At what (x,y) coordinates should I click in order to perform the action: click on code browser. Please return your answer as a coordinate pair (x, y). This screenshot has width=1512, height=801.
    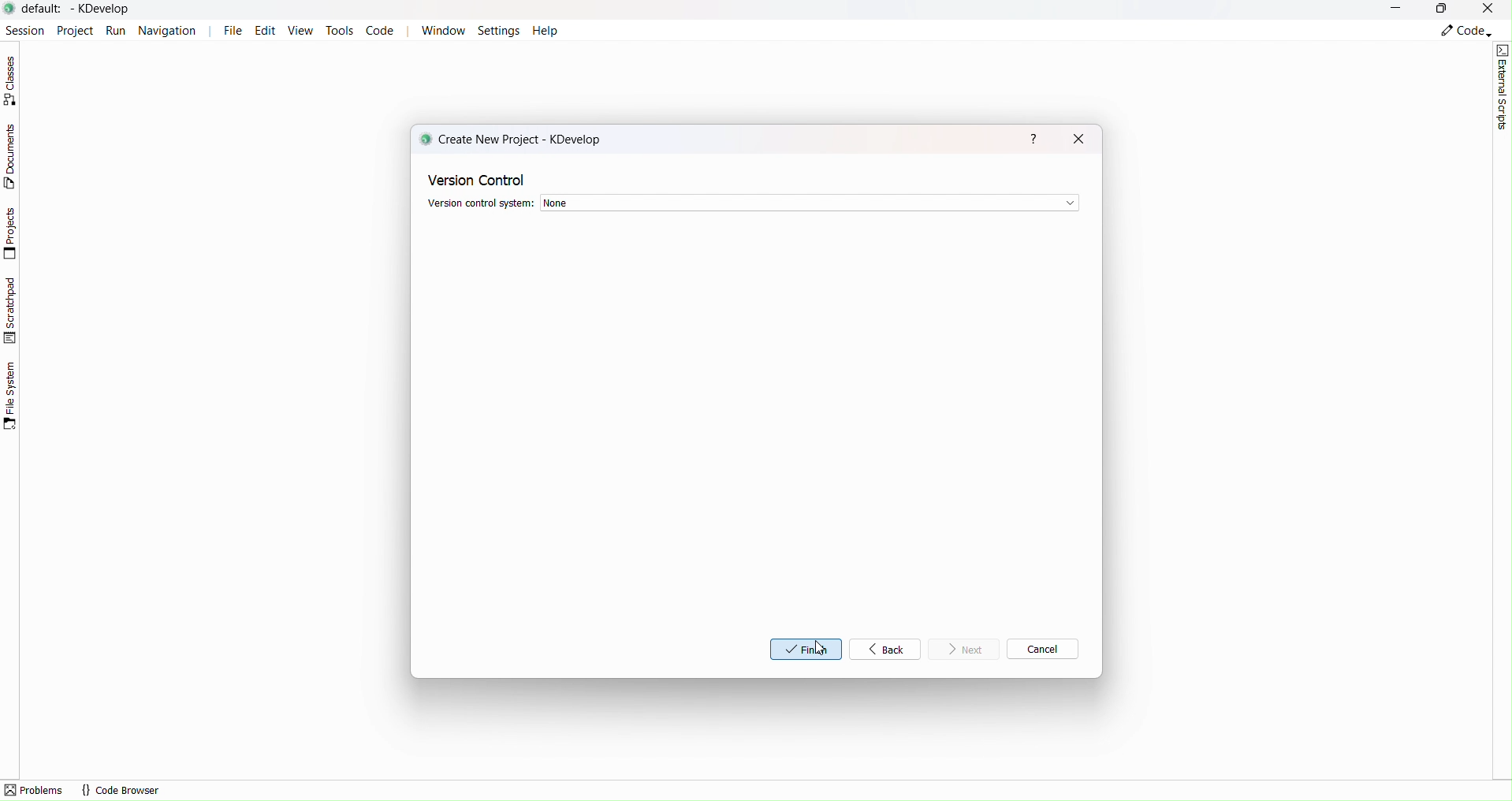
    Looking at the image, I should click on (121, 790).